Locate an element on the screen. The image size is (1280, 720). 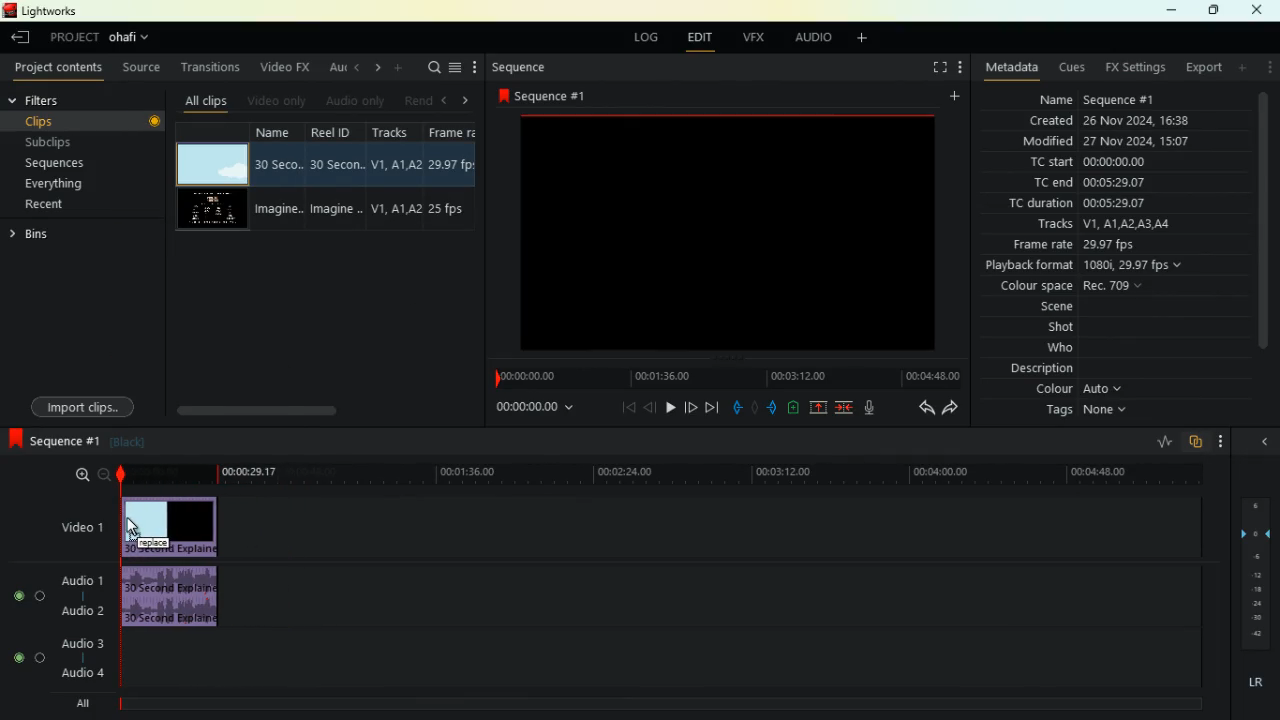
1080i, 29.97 fps v is located at coordinates (1134, 265).